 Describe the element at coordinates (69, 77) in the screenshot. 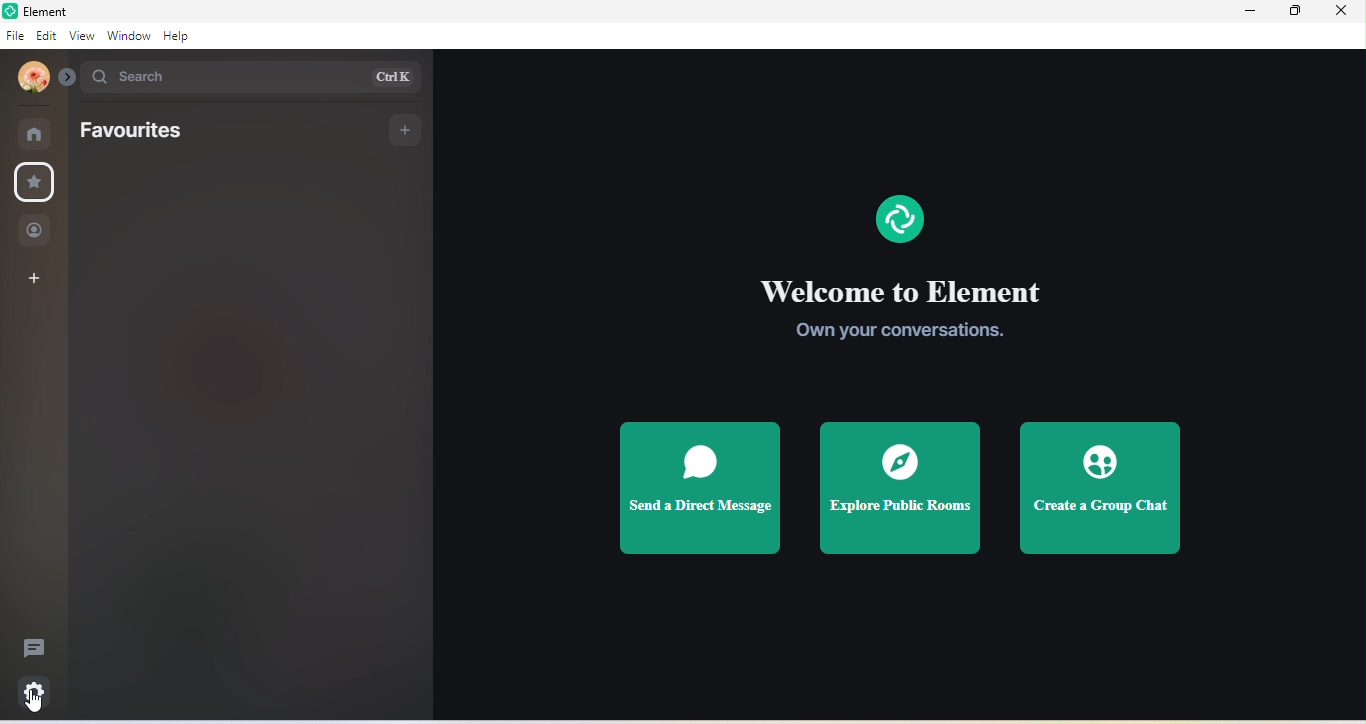

I see `drop down` at that location.